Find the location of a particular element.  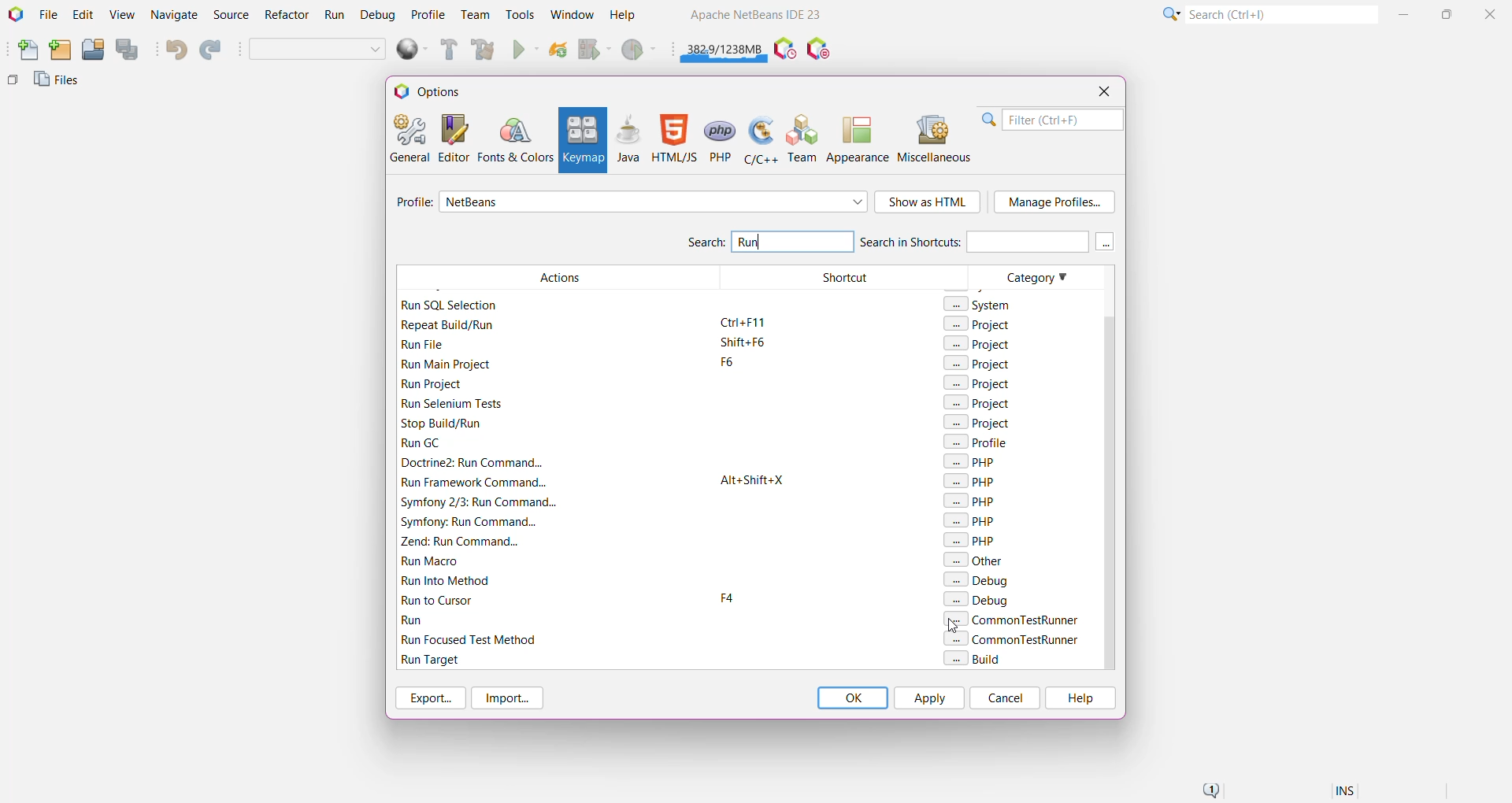

New Project is located at coordinates (60, 50).